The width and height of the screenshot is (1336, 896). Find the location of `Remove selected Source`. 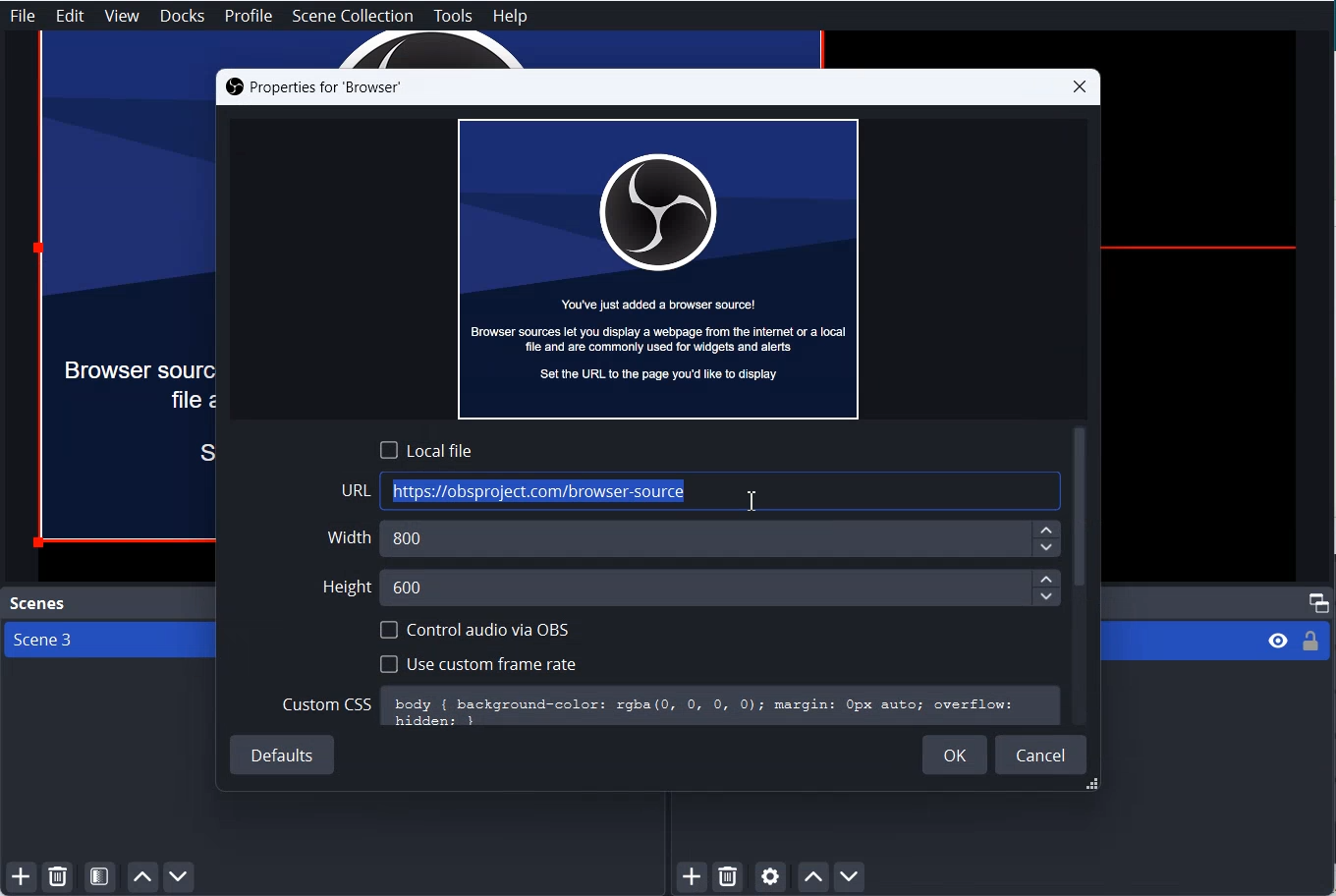

Remove selected Source is located at coordinates (728, 877).